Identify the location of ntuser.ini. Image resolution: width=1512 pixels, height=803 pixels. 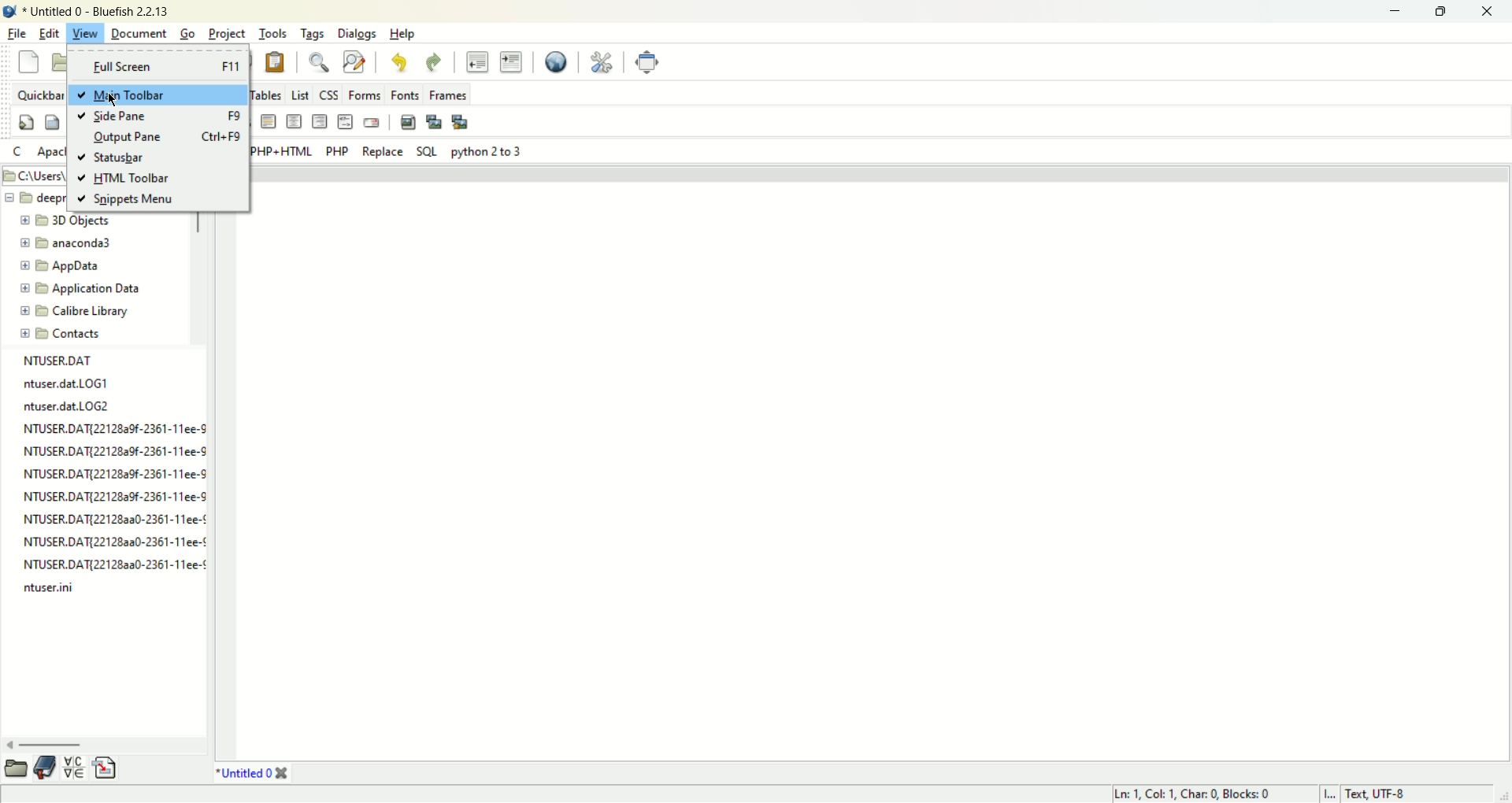
(50, 587).